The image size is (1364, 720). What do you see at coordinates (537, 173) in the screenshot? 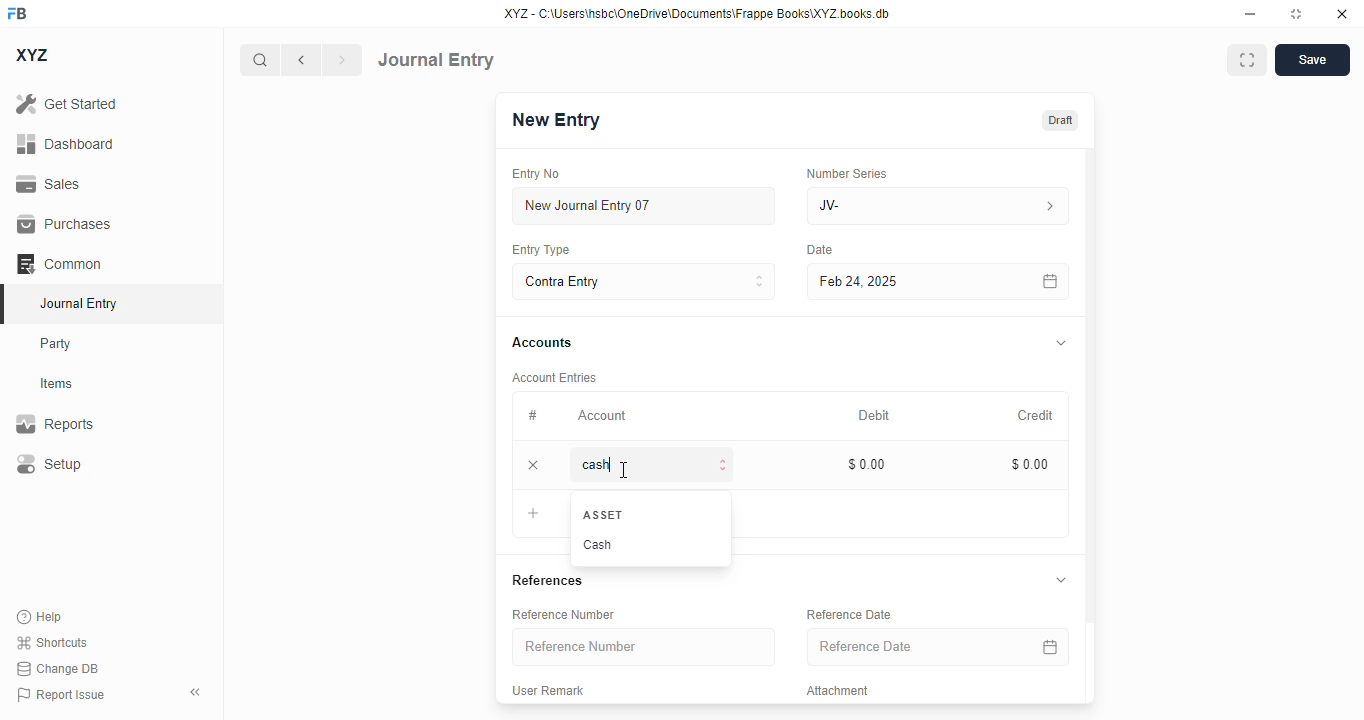
I see `entry no` at bounding box center [537, 173].